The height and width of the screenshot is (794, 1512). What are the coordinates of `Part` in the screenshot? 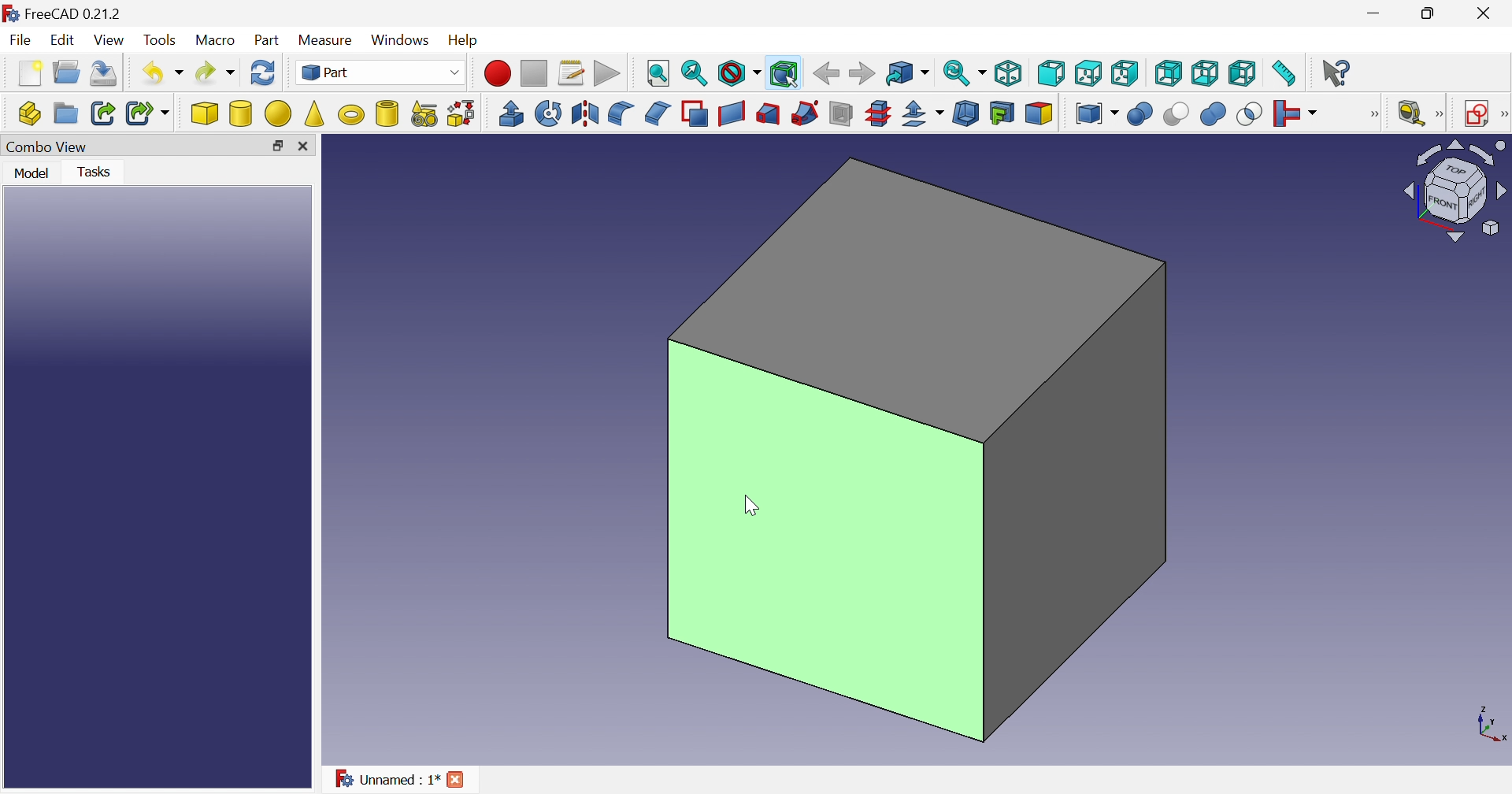 It's located at (267, 42).